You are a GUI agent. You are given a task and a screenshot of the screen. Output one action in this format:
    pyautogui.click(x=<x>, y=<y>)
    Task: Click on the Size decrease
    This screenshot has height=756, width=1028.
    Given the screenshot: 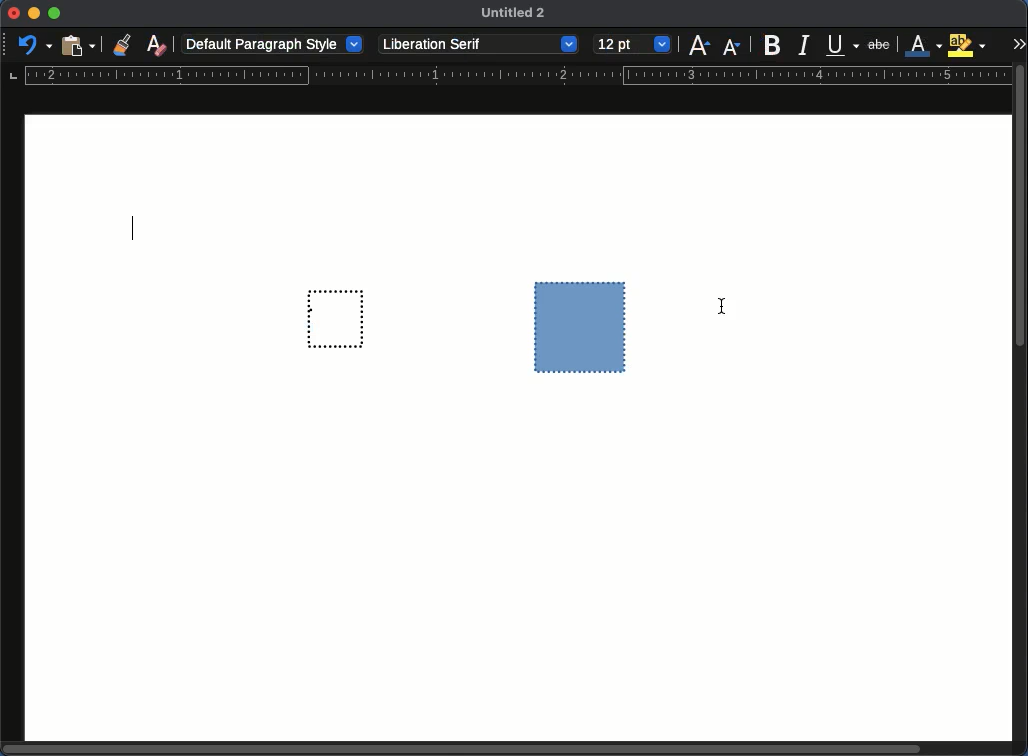 What is the action you would take?
    pyautogui.click(x=734, y=45)
    